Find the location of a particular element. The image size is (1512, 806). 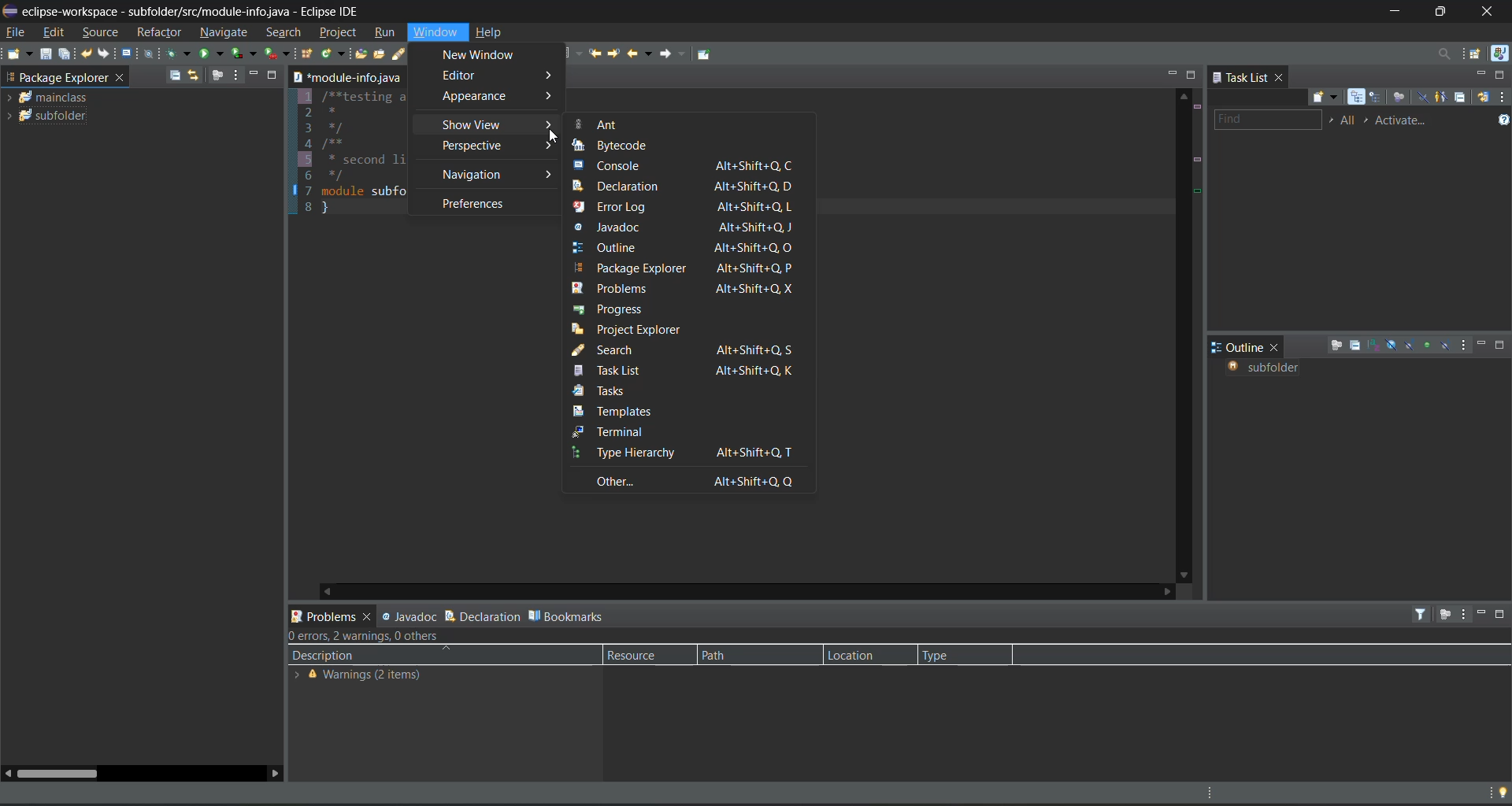

view menu is located at coordinates (1463, 613).